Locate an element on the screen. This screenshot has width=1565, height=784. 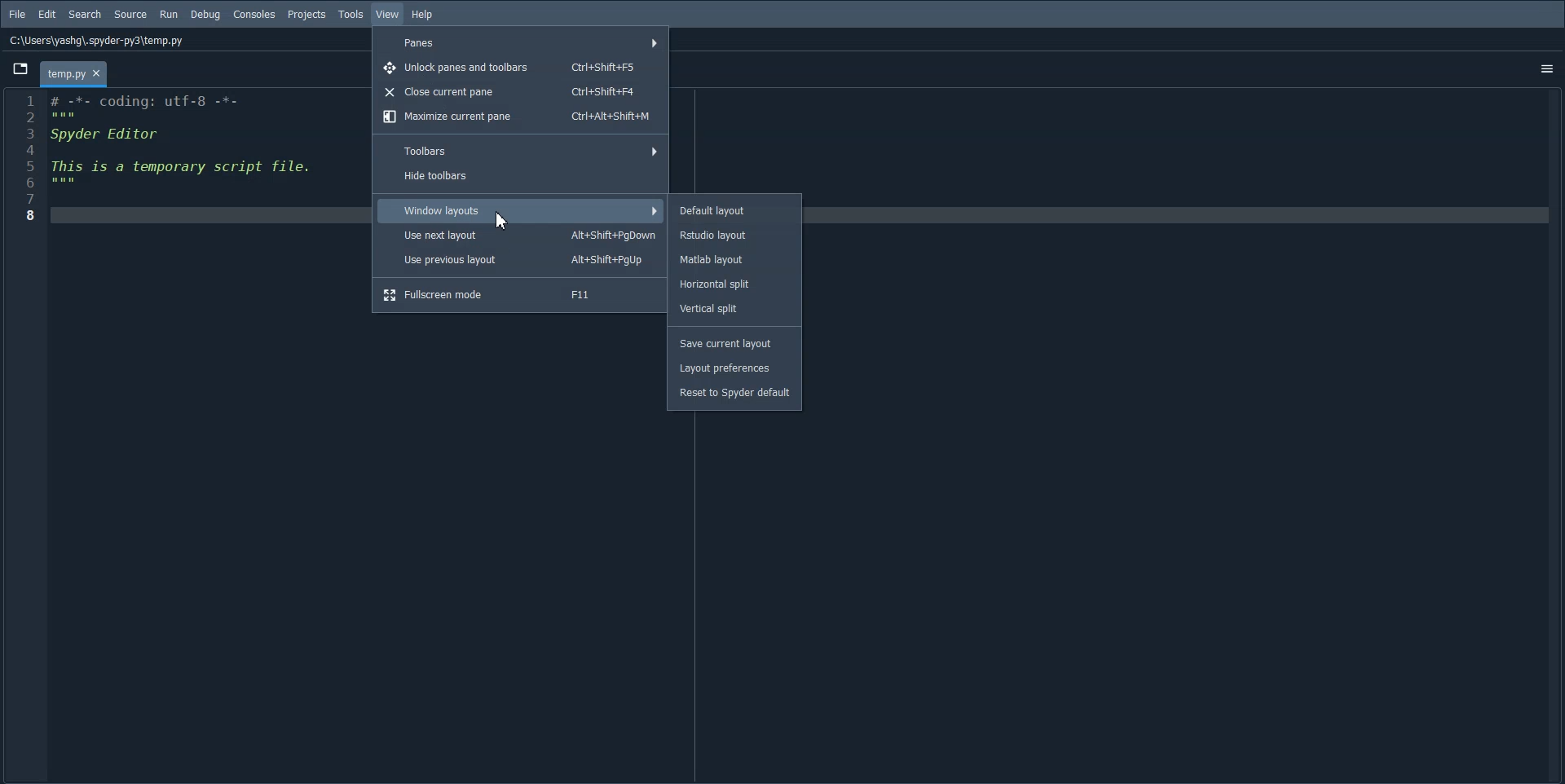
Line number is located at coordinates (24, 157).